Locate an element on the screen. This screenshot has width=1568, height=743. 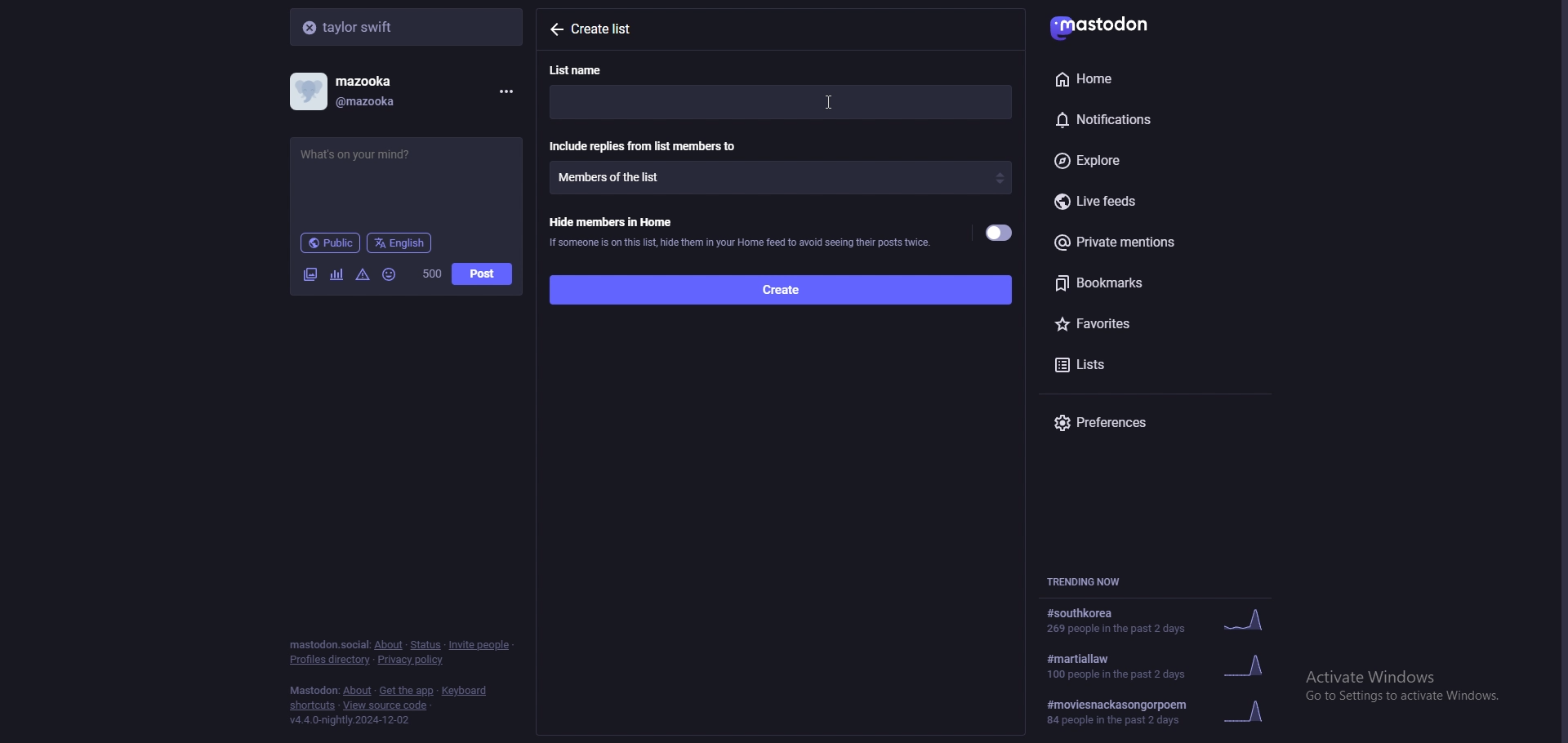
trending now is located at coordinates (1093, 581).